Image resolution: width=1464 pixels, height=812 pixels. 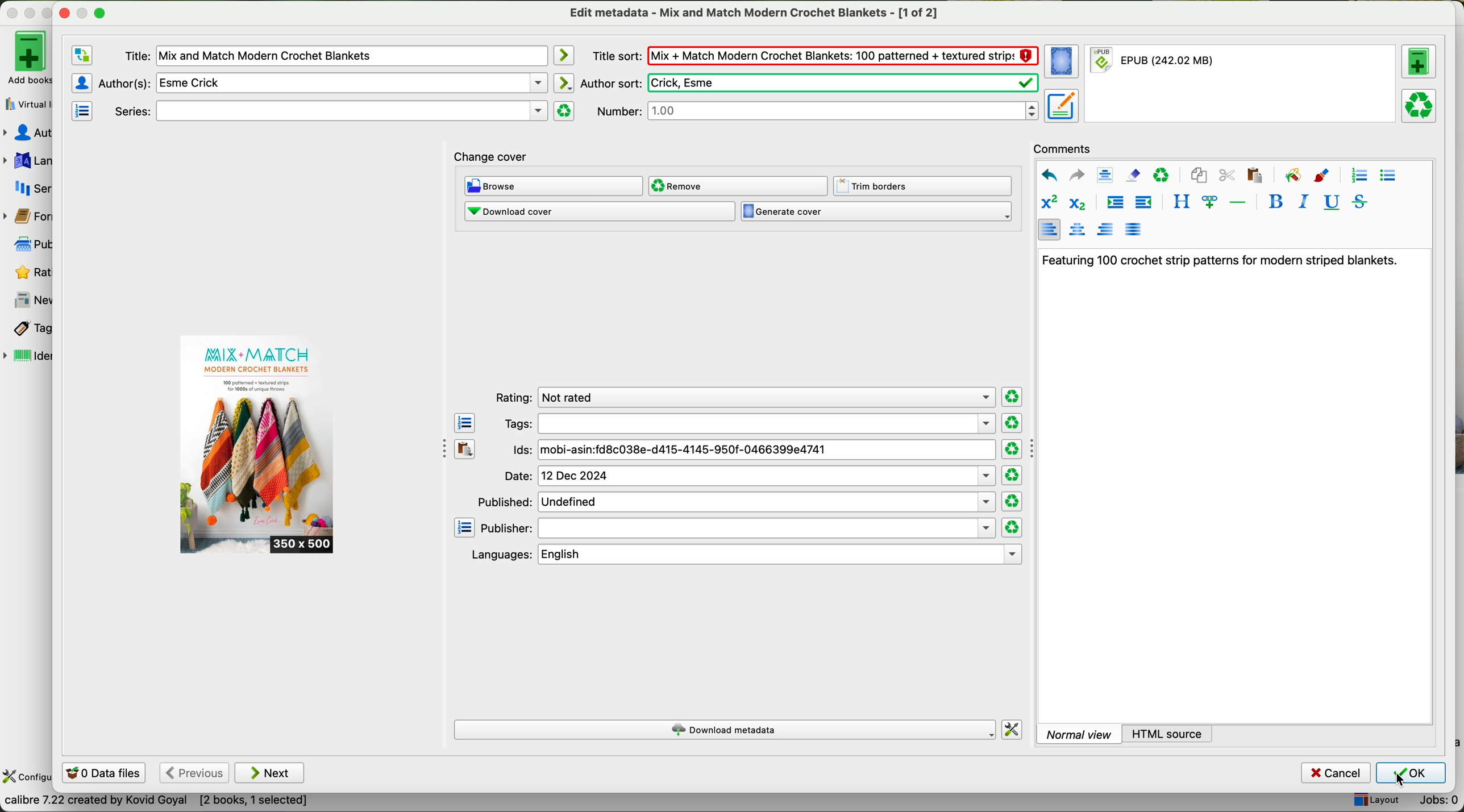 What do you see at coordinates (1060, 105) in the screenshot?
I see `set metadata for the book` at bounding box center [1060, 105].